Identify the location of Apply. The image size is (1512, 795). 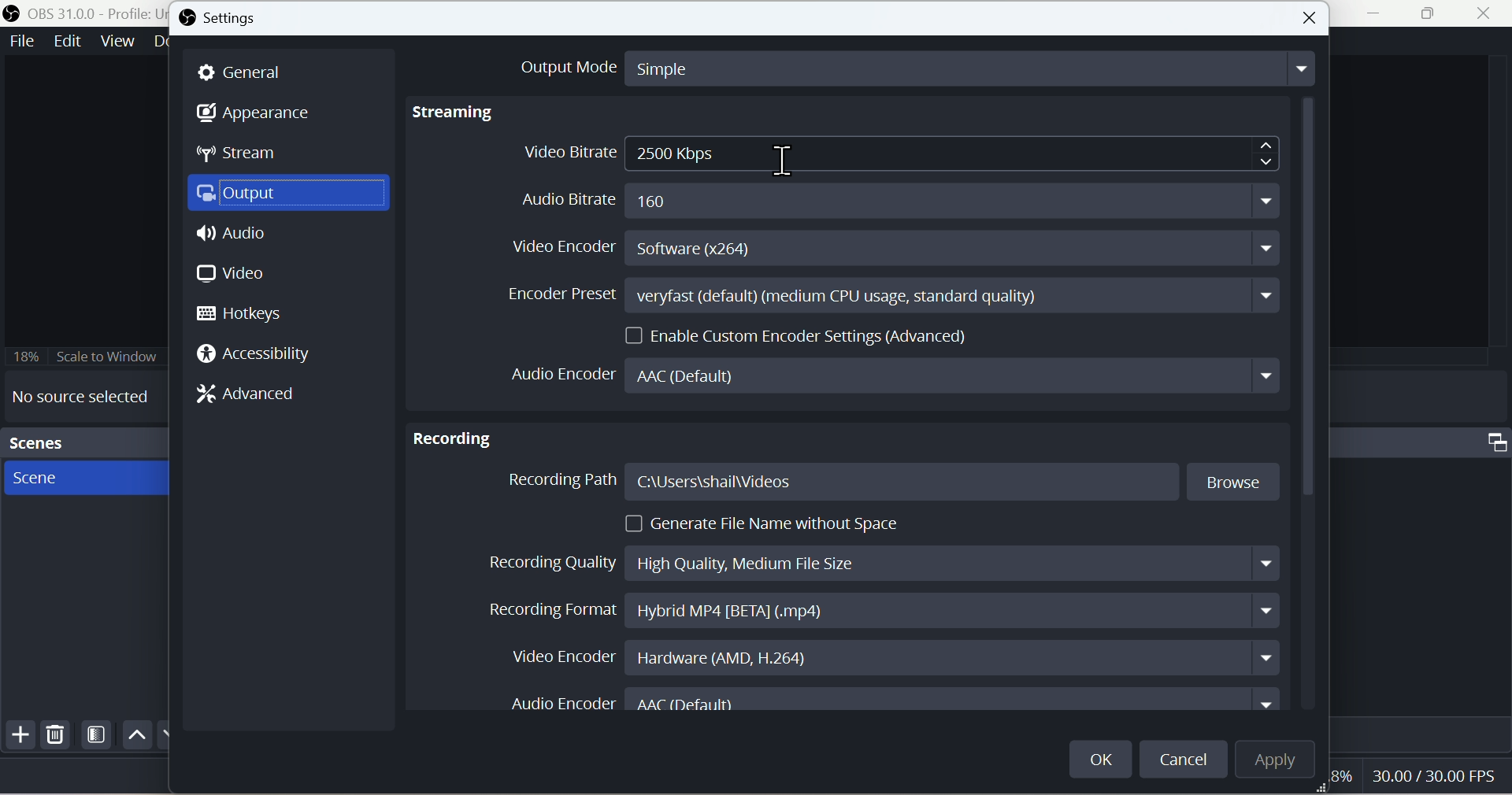
(1284, 763).